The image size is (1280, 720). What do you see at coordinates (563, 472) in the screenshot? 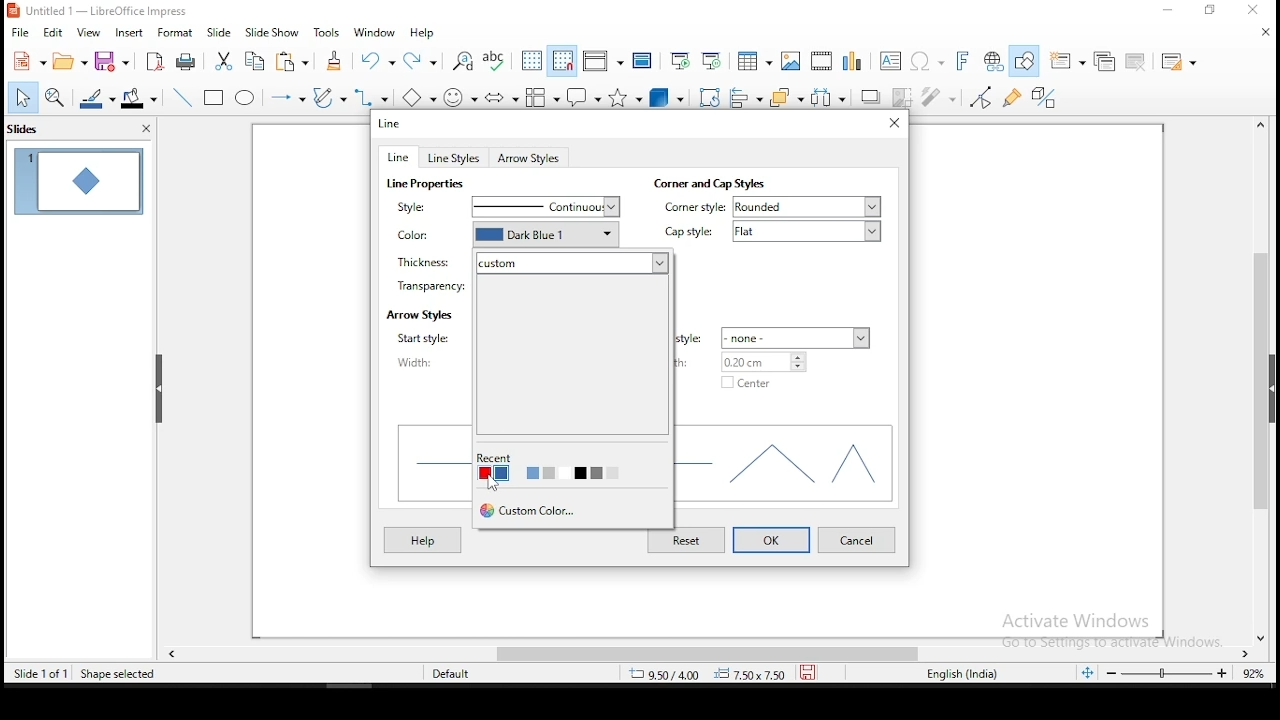
I see `color optioncolor option` at bounding box center [563, 472].